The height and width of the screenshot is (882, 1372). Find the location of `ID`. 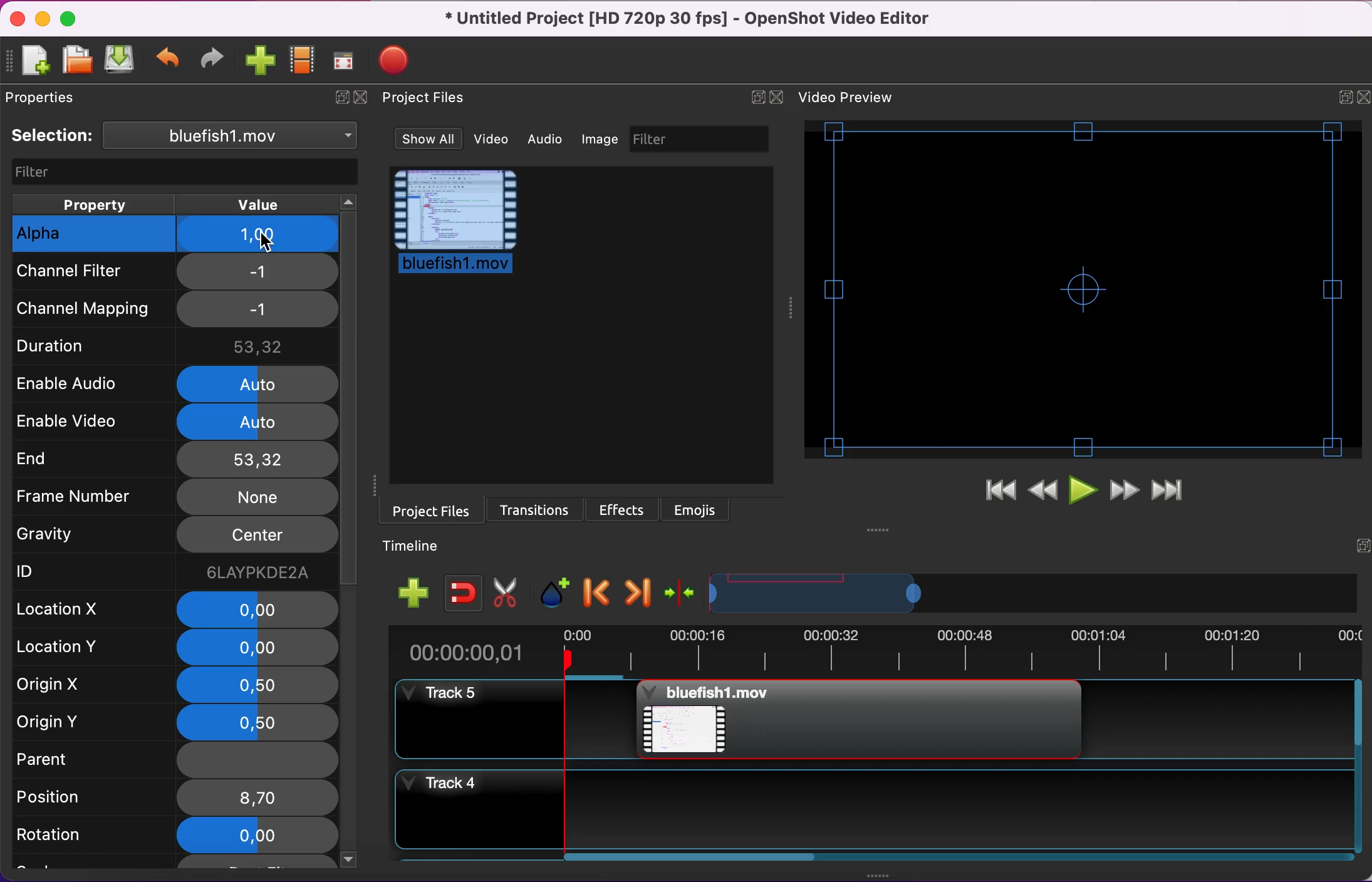

ID is located at coordinates (67, 573).